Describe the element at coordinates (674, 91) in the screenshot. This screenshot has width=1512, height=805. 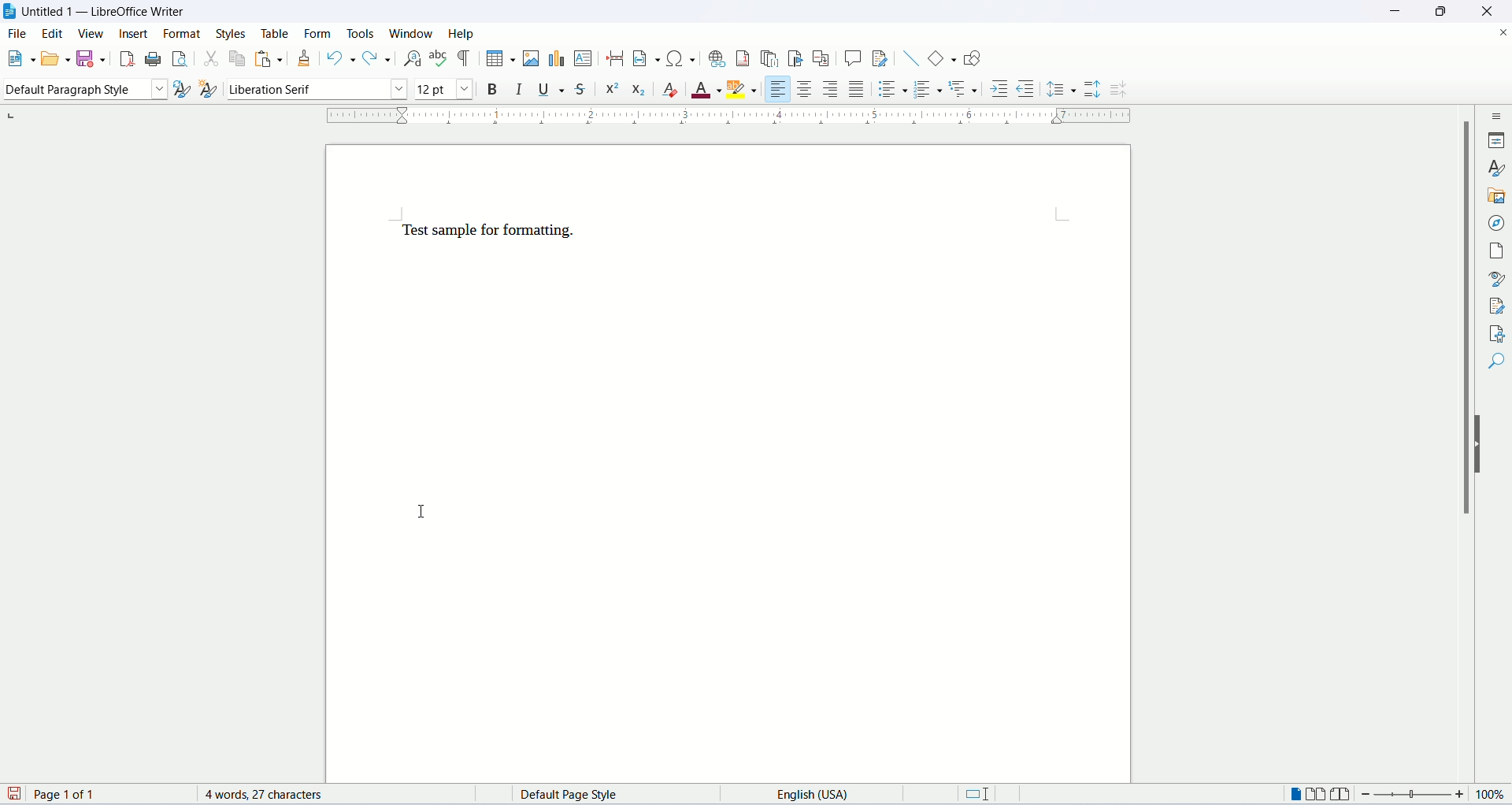
I see `remove formatting` at that location.